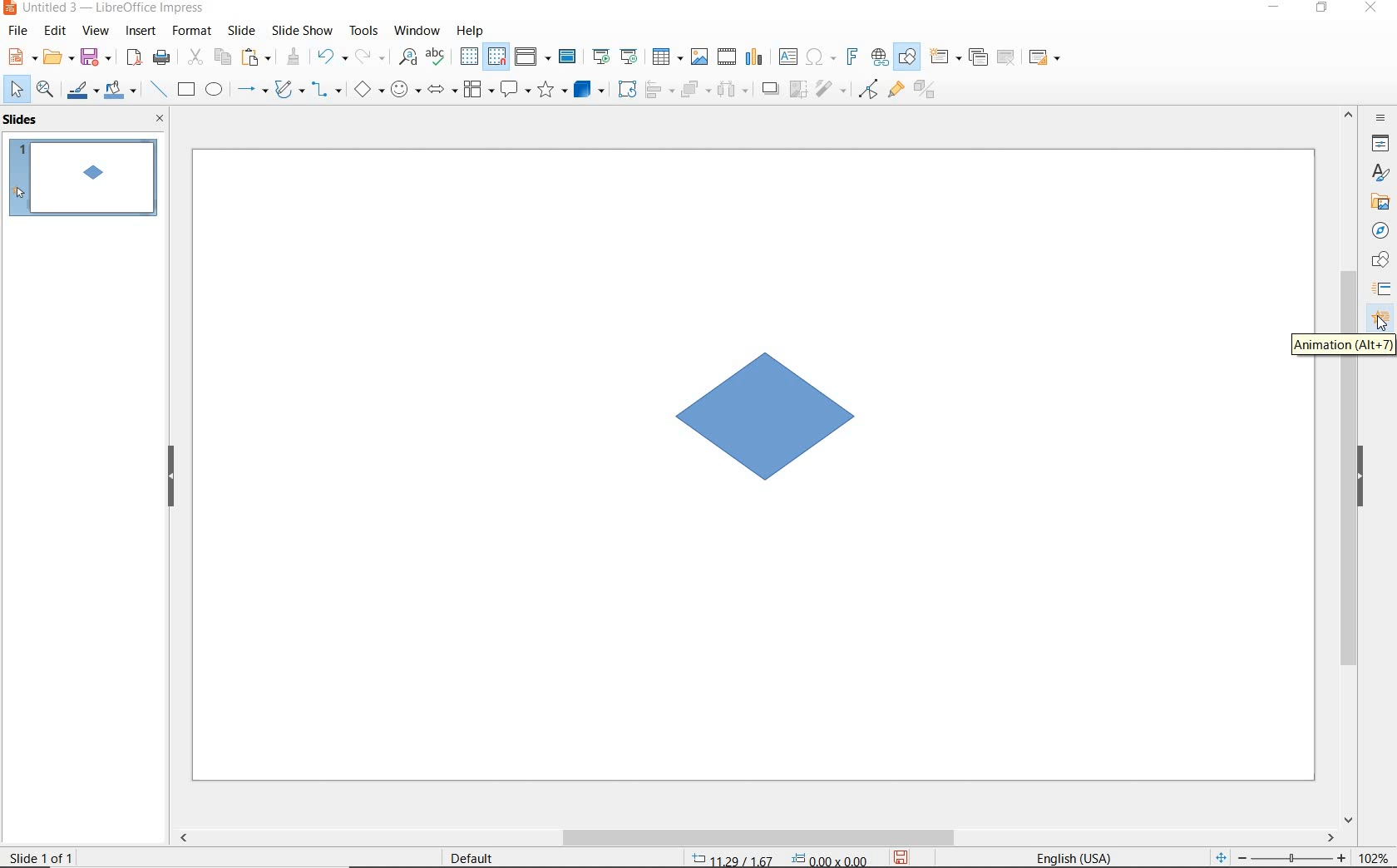  What do you see at coordinates (693, 91) in the screenshot?
I see `arrange` at bounding box center [693, 91].